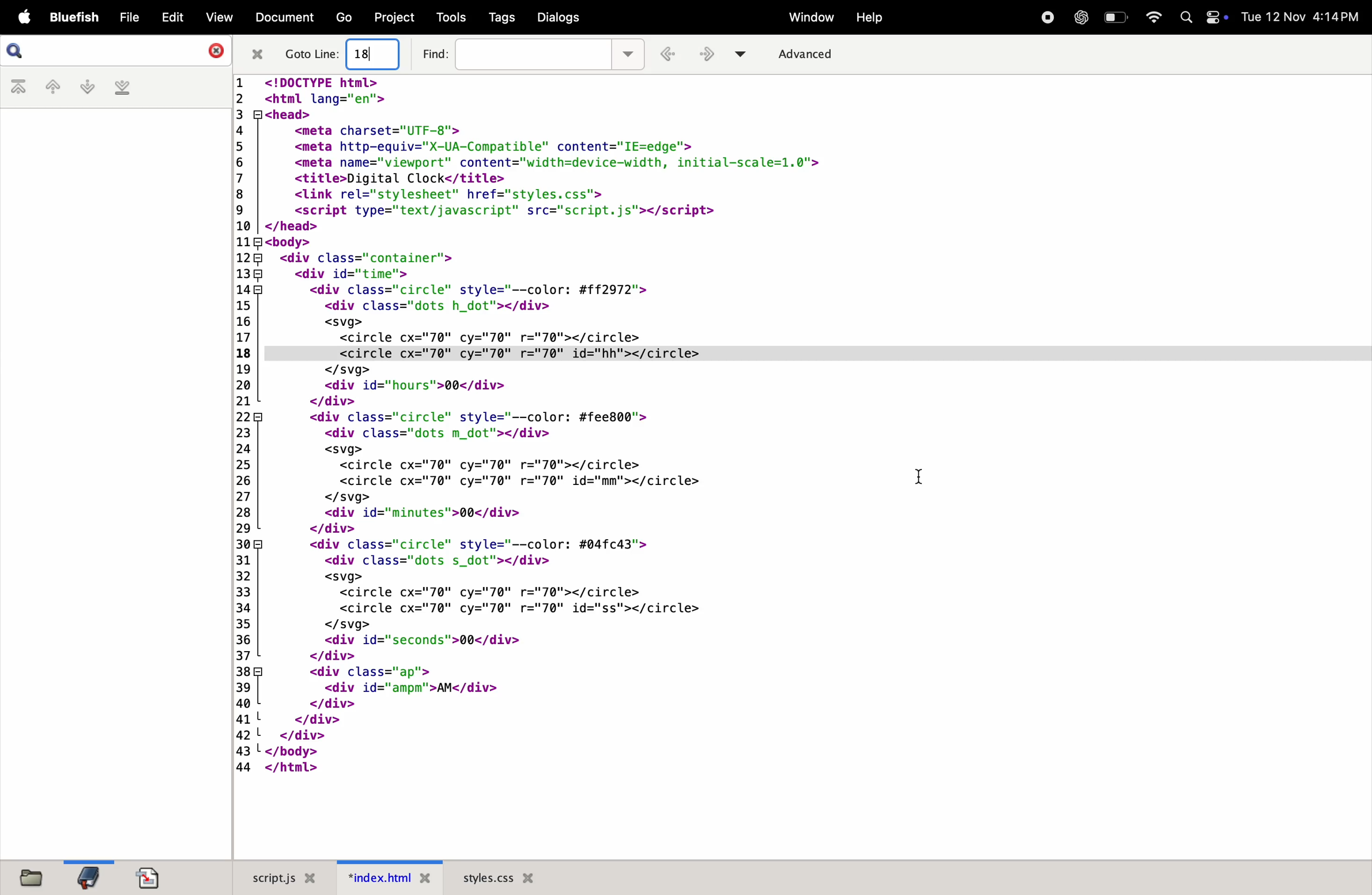 The height and width of the screenshot is (895, 1372). I want to click on window, so click(807, 17).